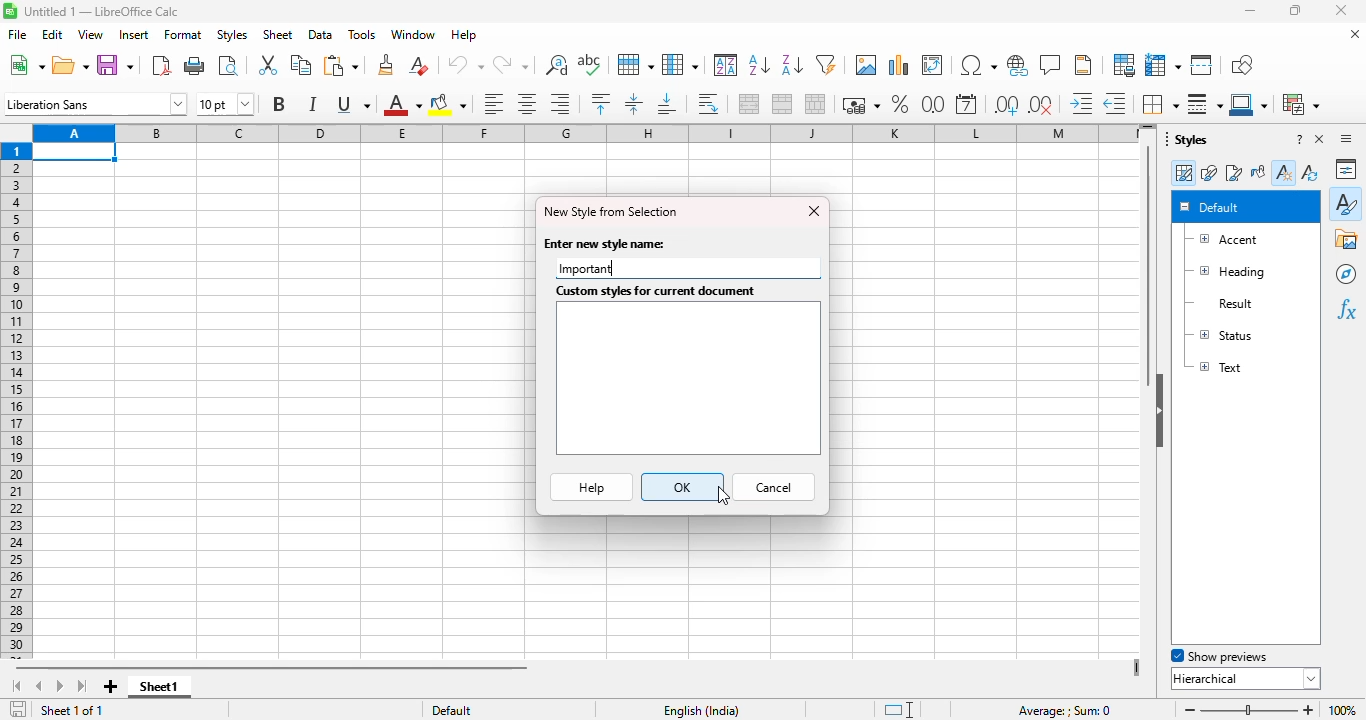 The height and width of the screenshot is (720, 1366). I want to click on heading, so click(1227, 272).